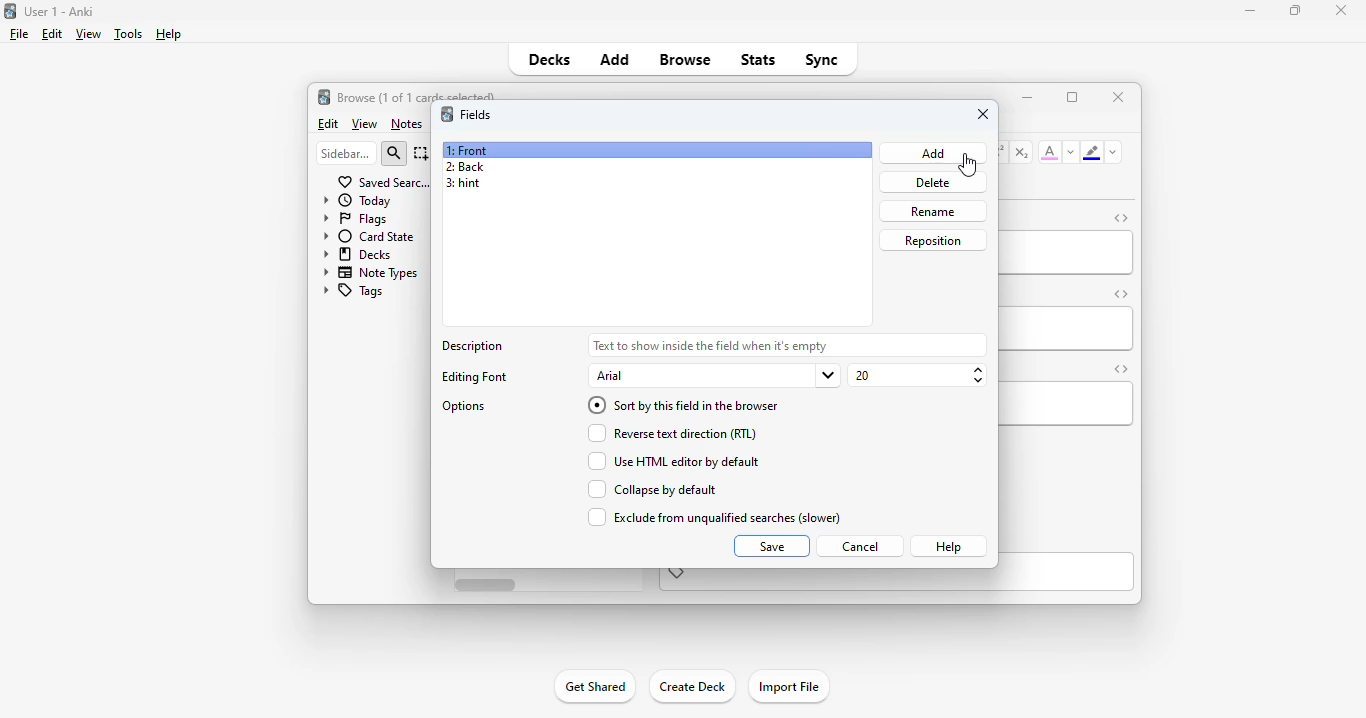 This screenshot has height=718, width=1366. Describe the element at coordinates (346, 153) in the screenshot. I see `sidebar filter` at that location.